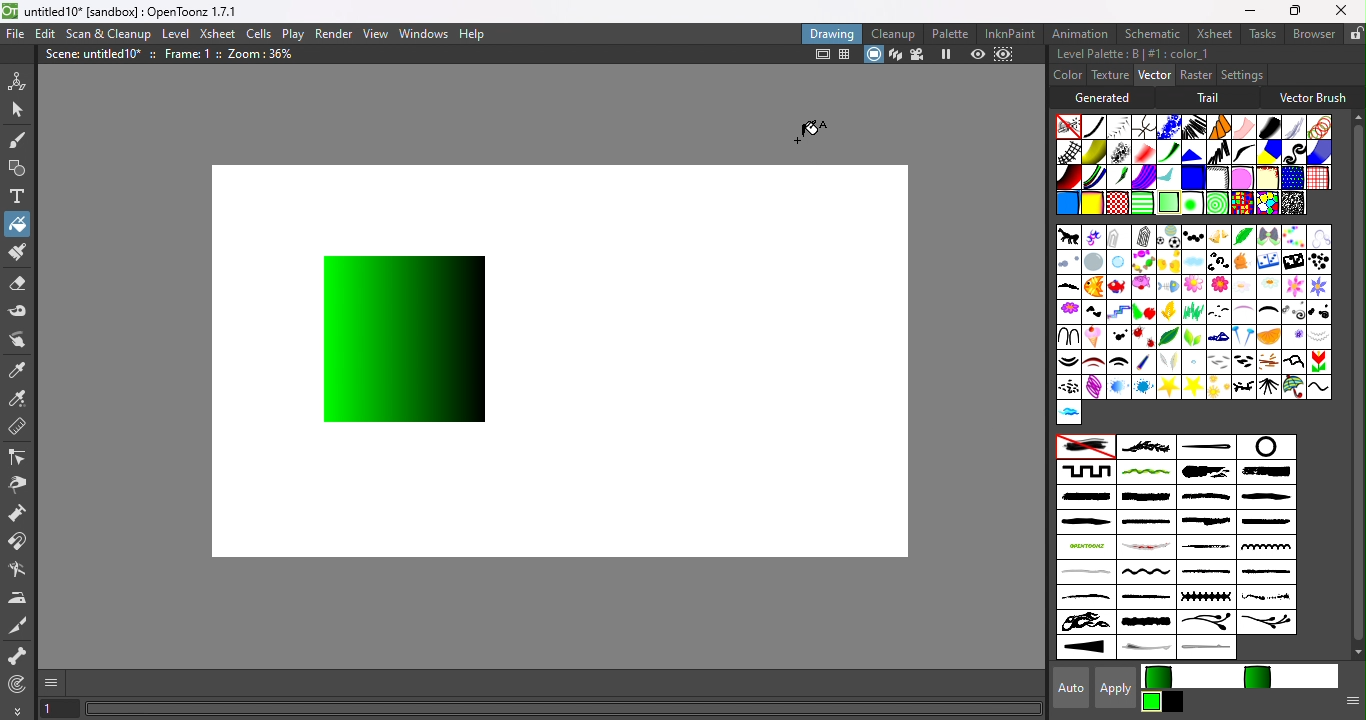  I want to click on Ribbon, so click(1169, 152).